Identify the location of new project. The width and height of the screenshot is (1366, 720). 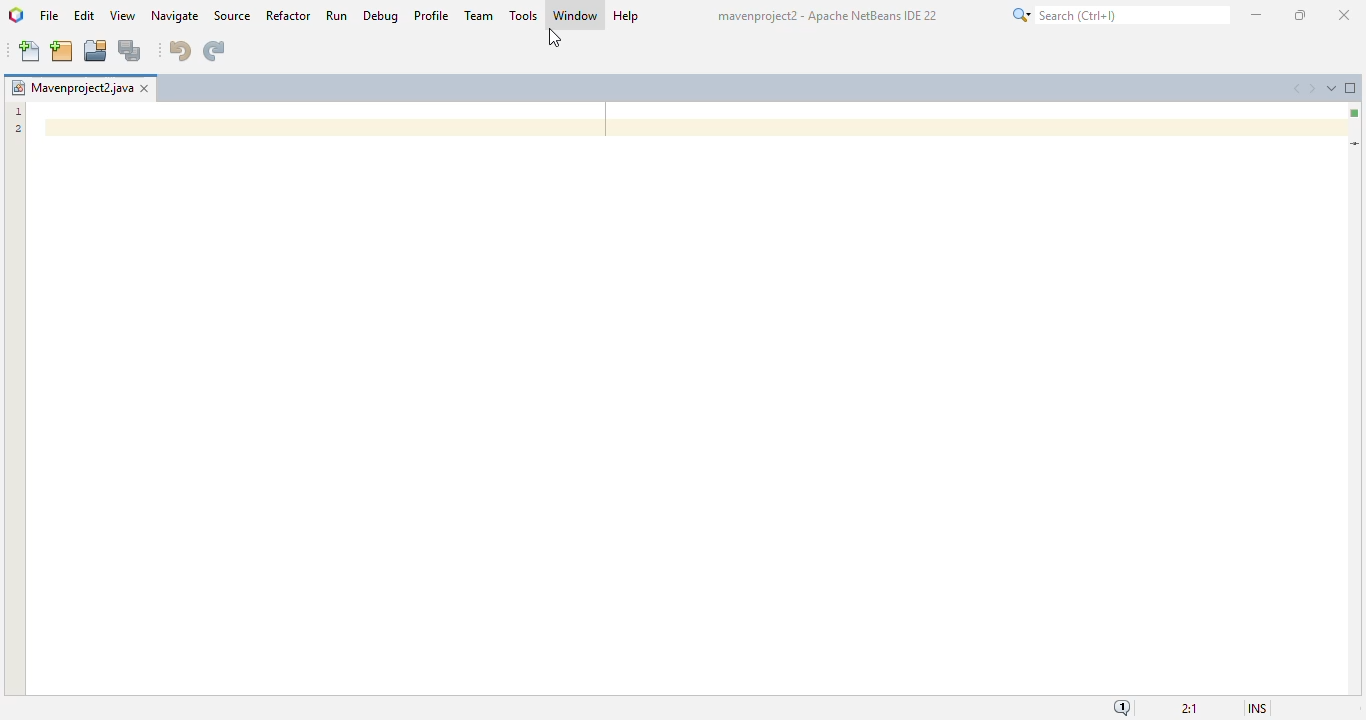
(62, 51).